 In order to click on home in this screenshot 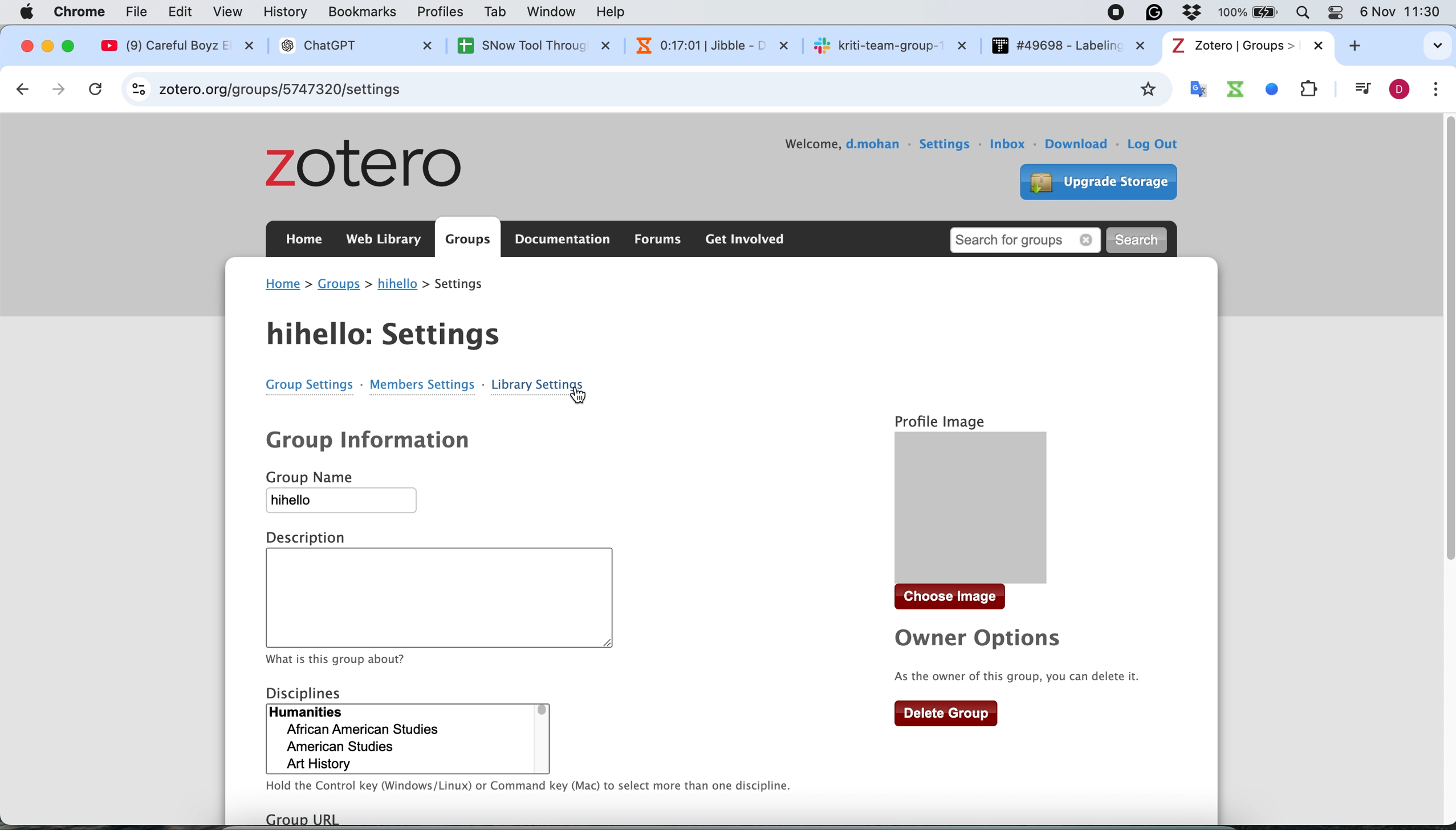, I will do `click(283, 283)`.